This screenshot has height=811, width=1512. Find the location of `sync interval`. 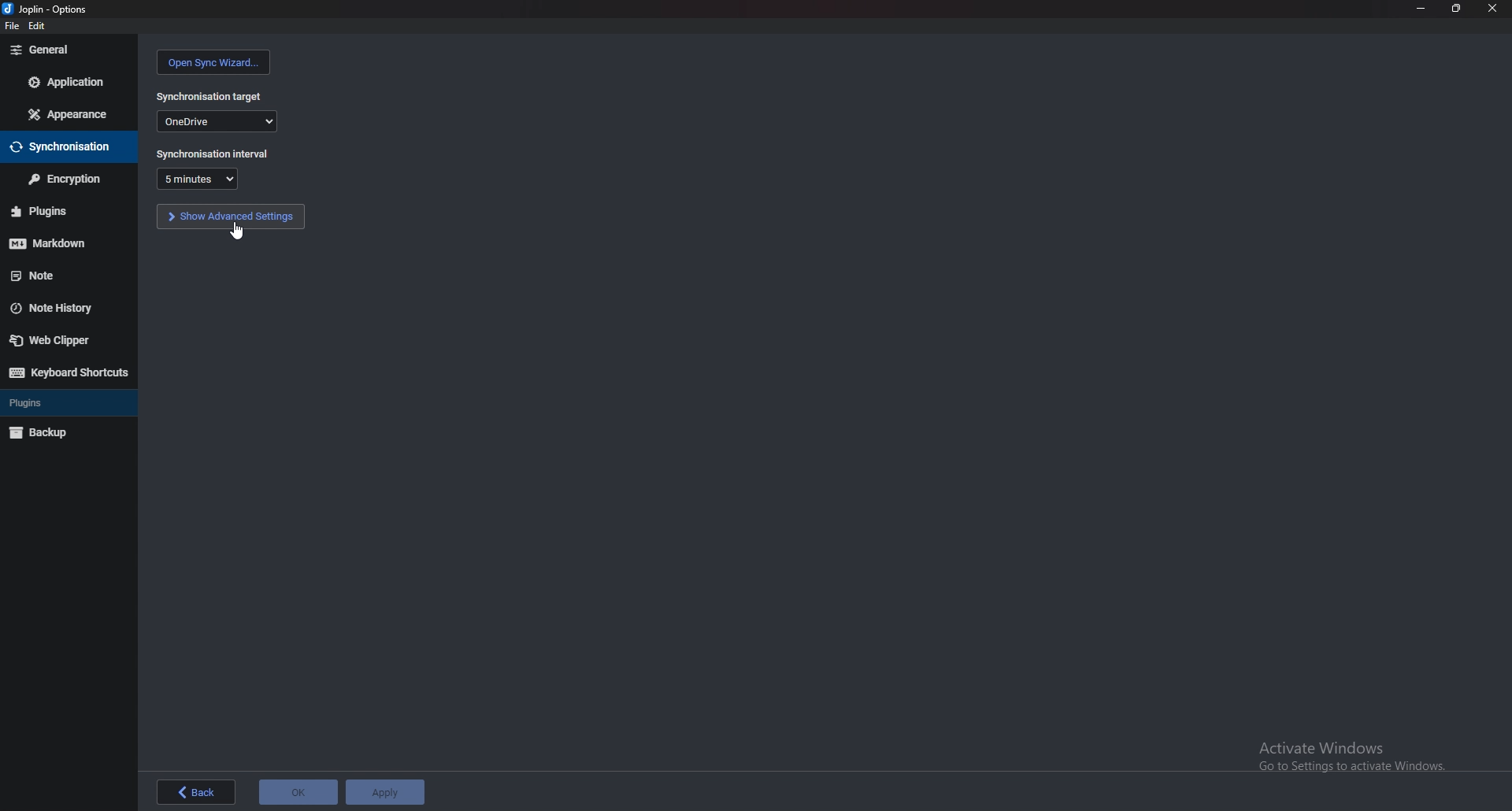

sync interval is located at coordinates (212, 154).